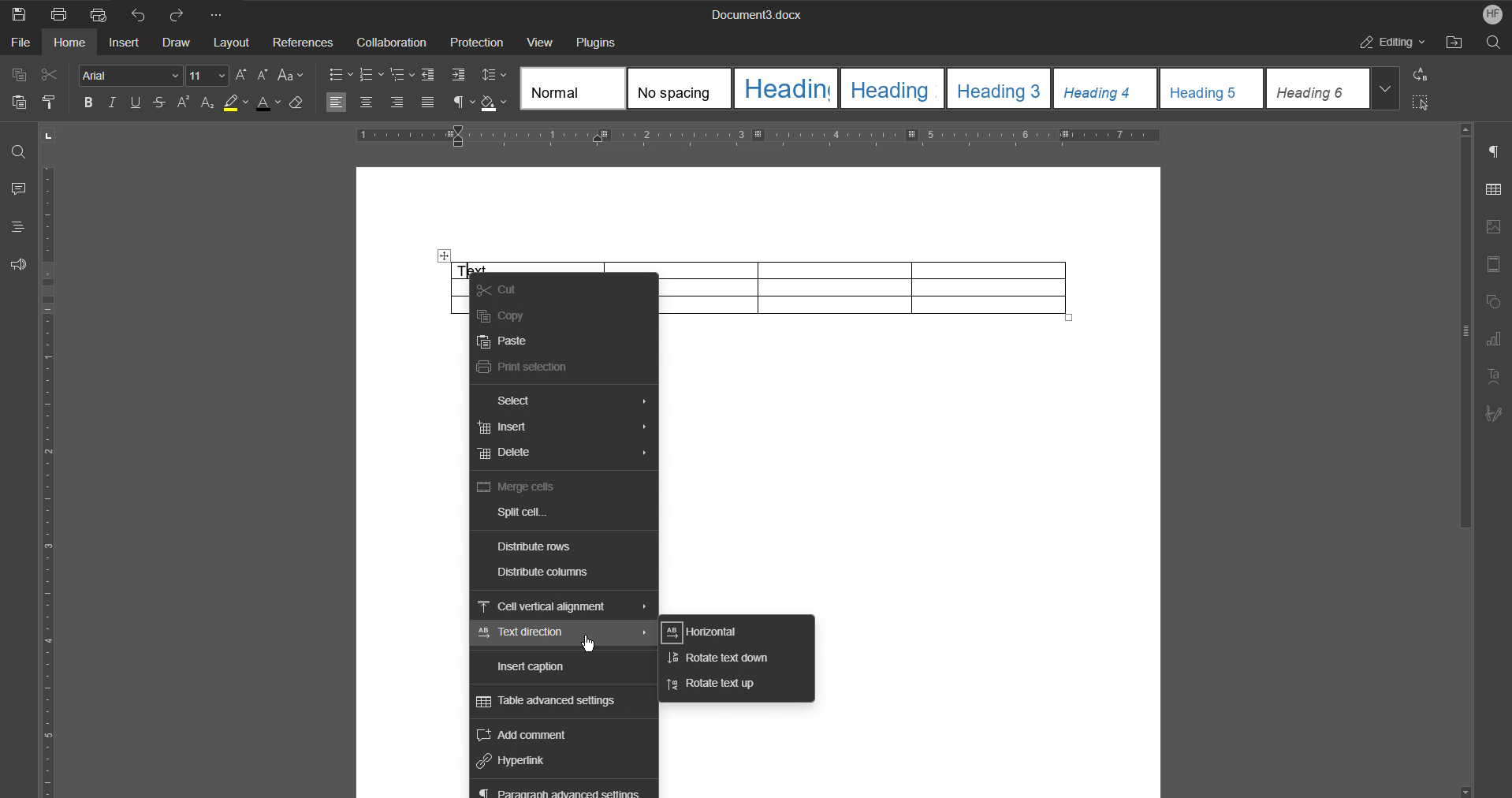  I want to click on Text Case Settings, so click(291, 76).